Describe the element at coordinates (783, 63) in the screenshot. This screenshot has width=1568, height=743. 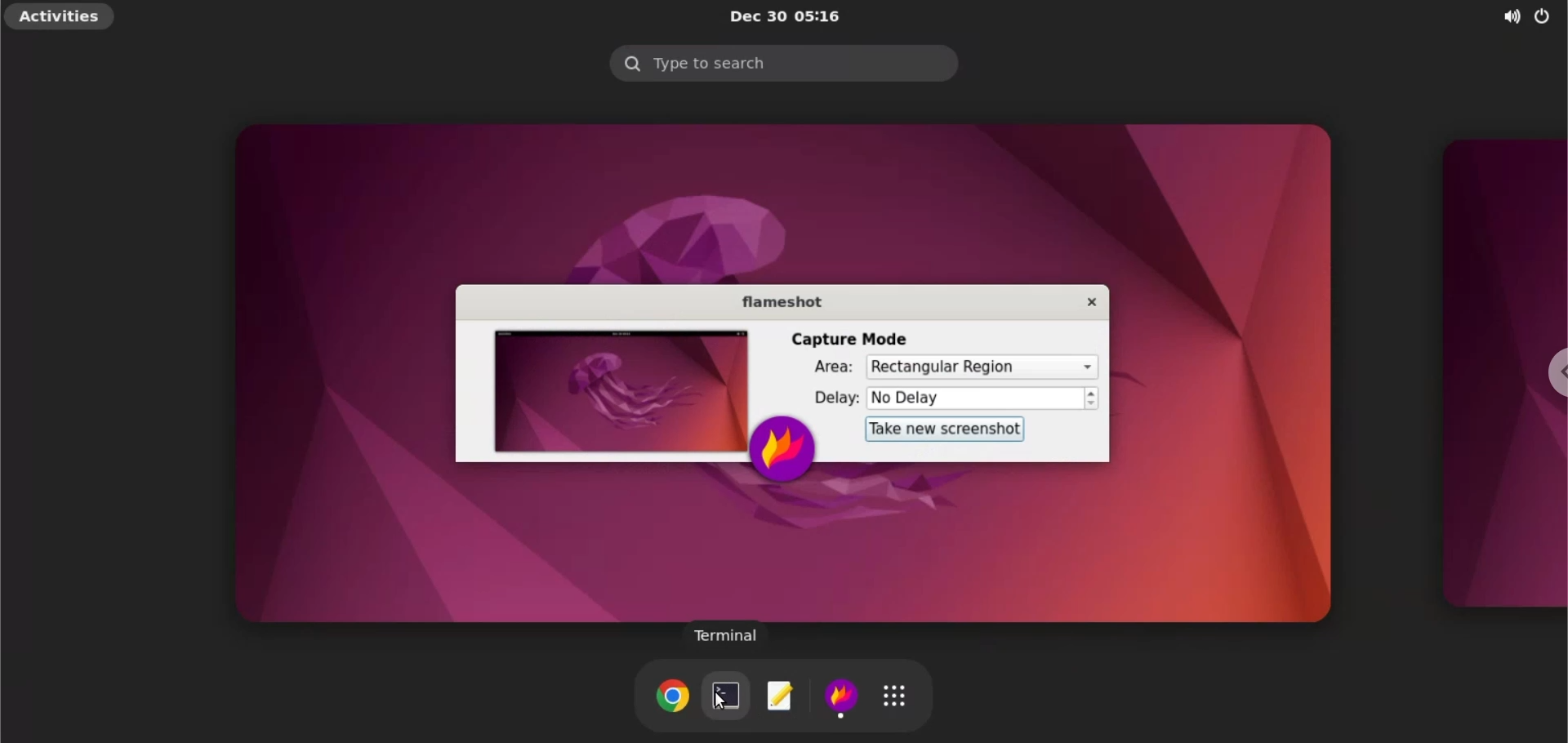
I see `search bar` at that location.